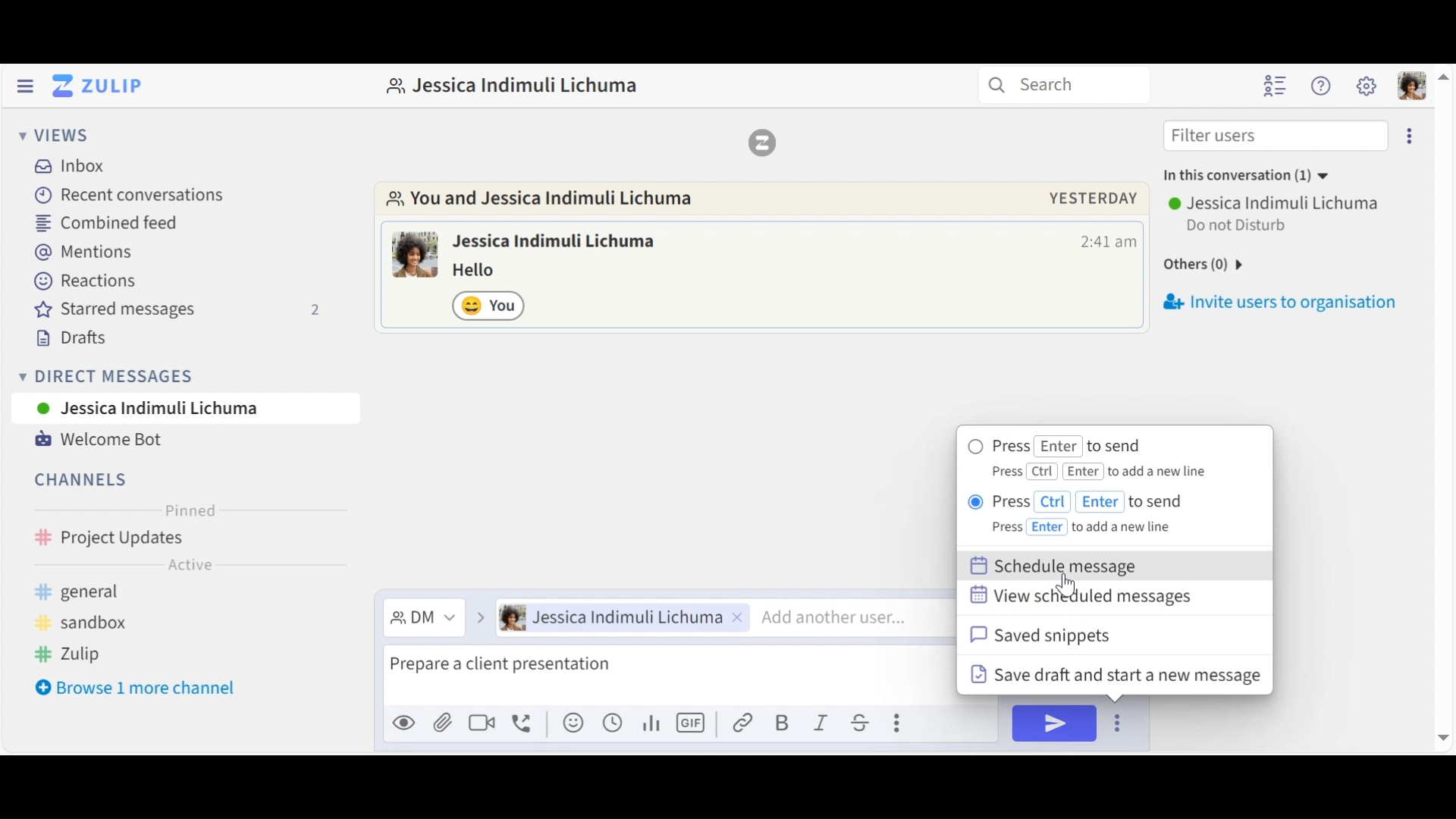 The width and height of the screenshot is (1456, 819). I want to click on View user card, so click(416, 254).